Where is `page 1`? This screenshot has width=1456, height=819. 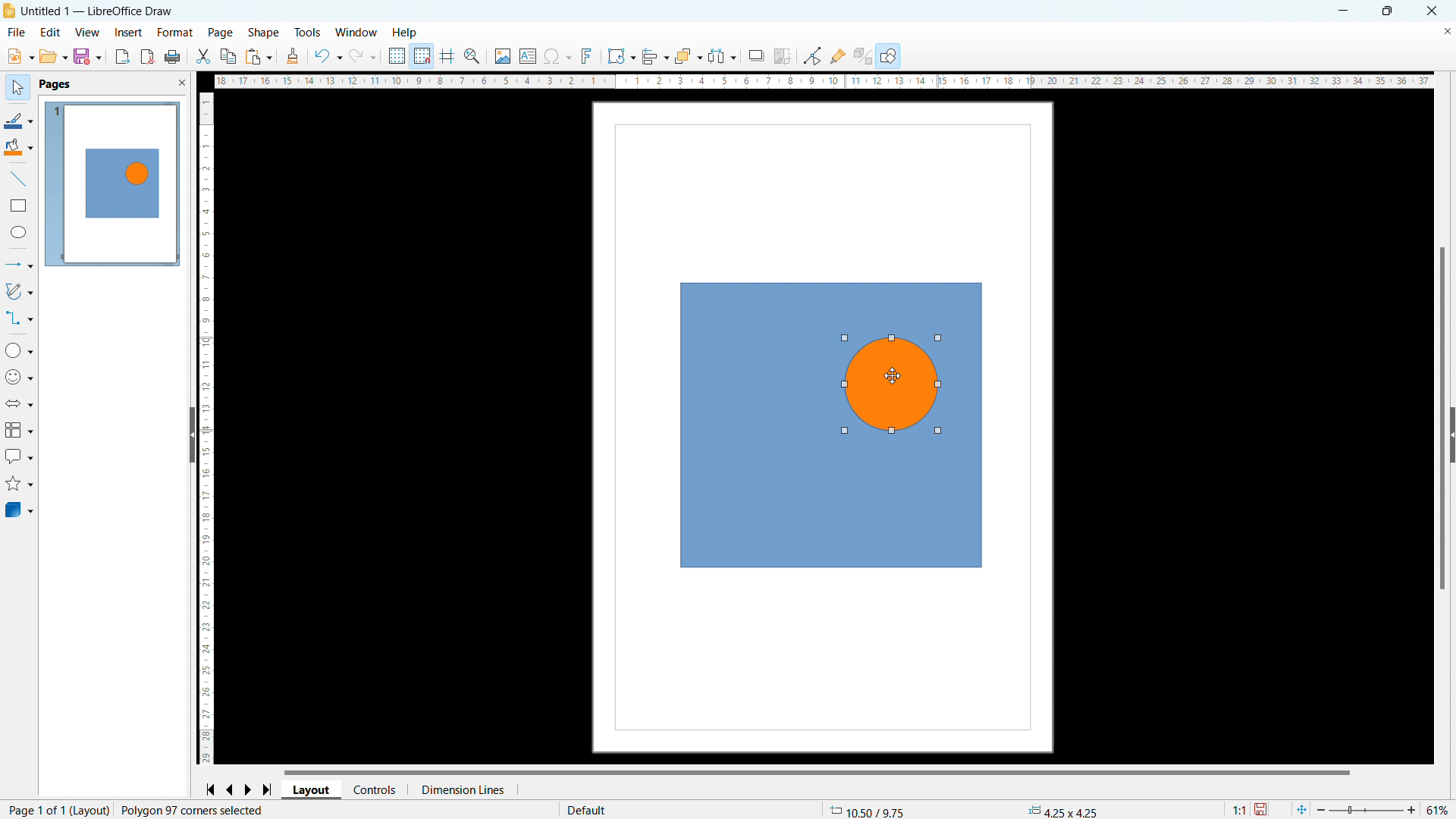
page 1 is located at coordinates (112, 184).